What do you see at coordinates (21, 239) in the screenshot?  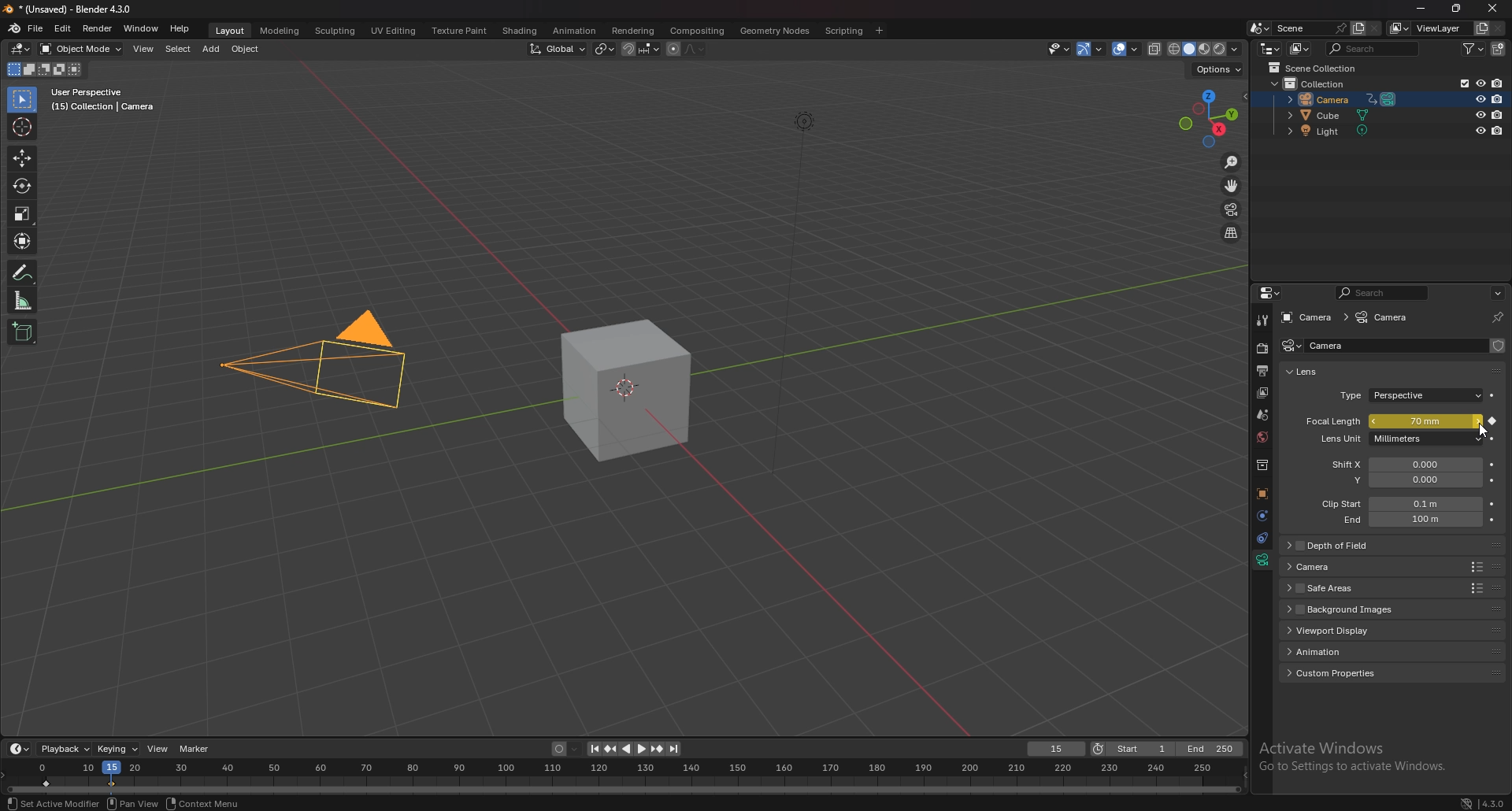 I see `transform` at bounding box center [21, 239].